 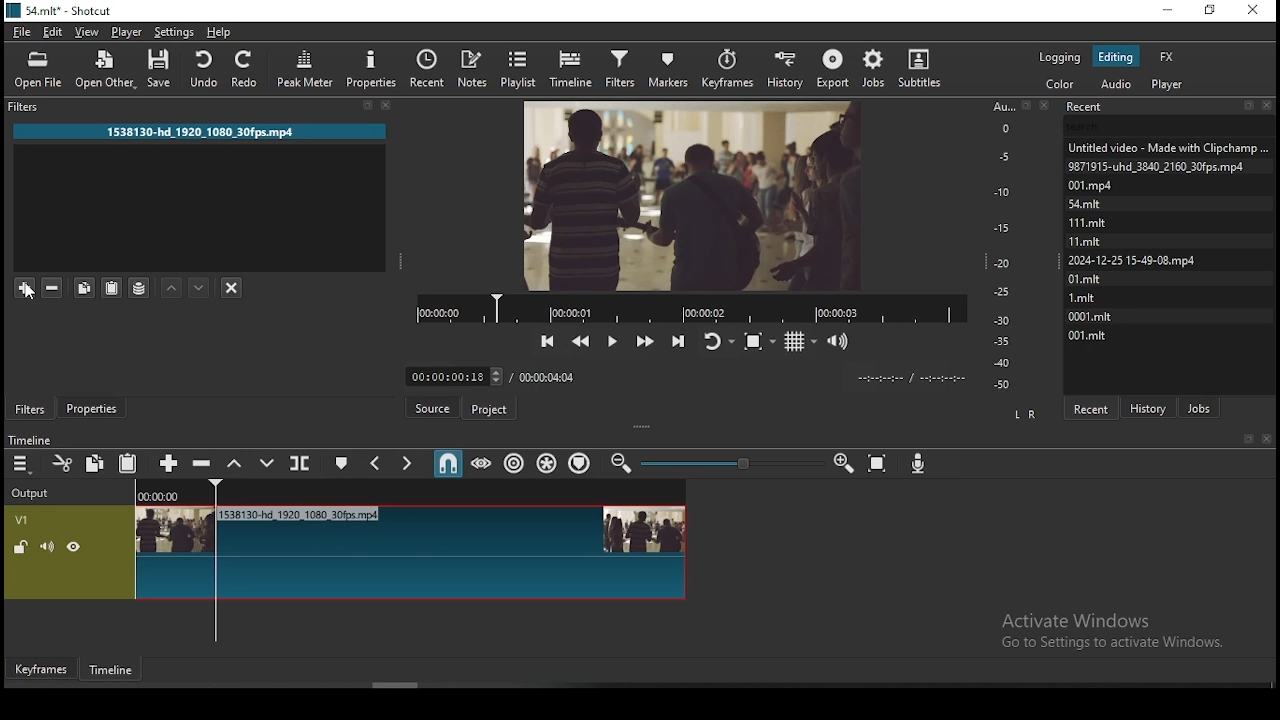 What do you see at coordinates (1162, 167) in the screenshot?
I see `9871915-uhd_3840_2160_30fps.mp4` at bounding box center [1162, 167].